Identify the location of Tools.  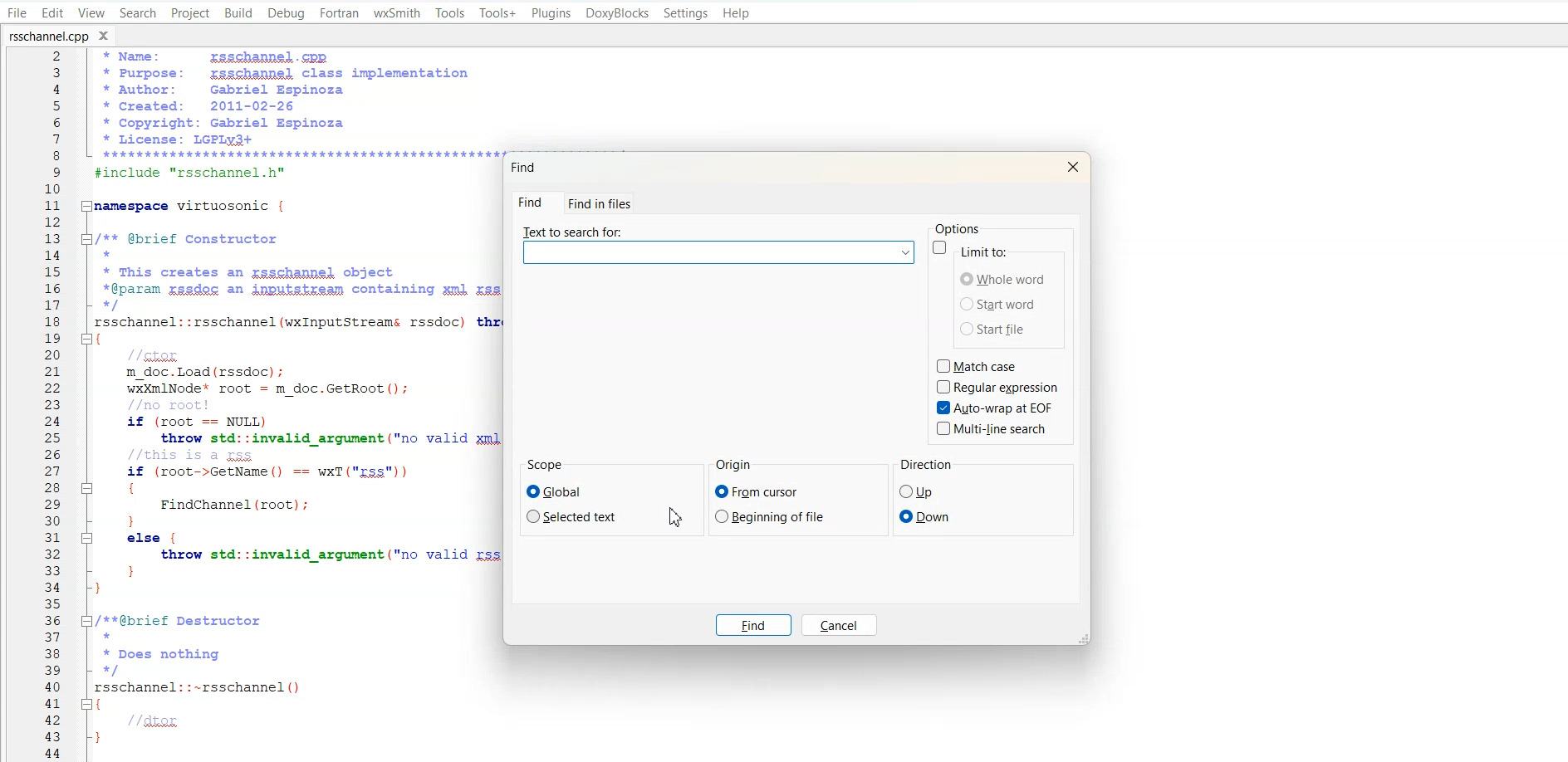
(451, 13).